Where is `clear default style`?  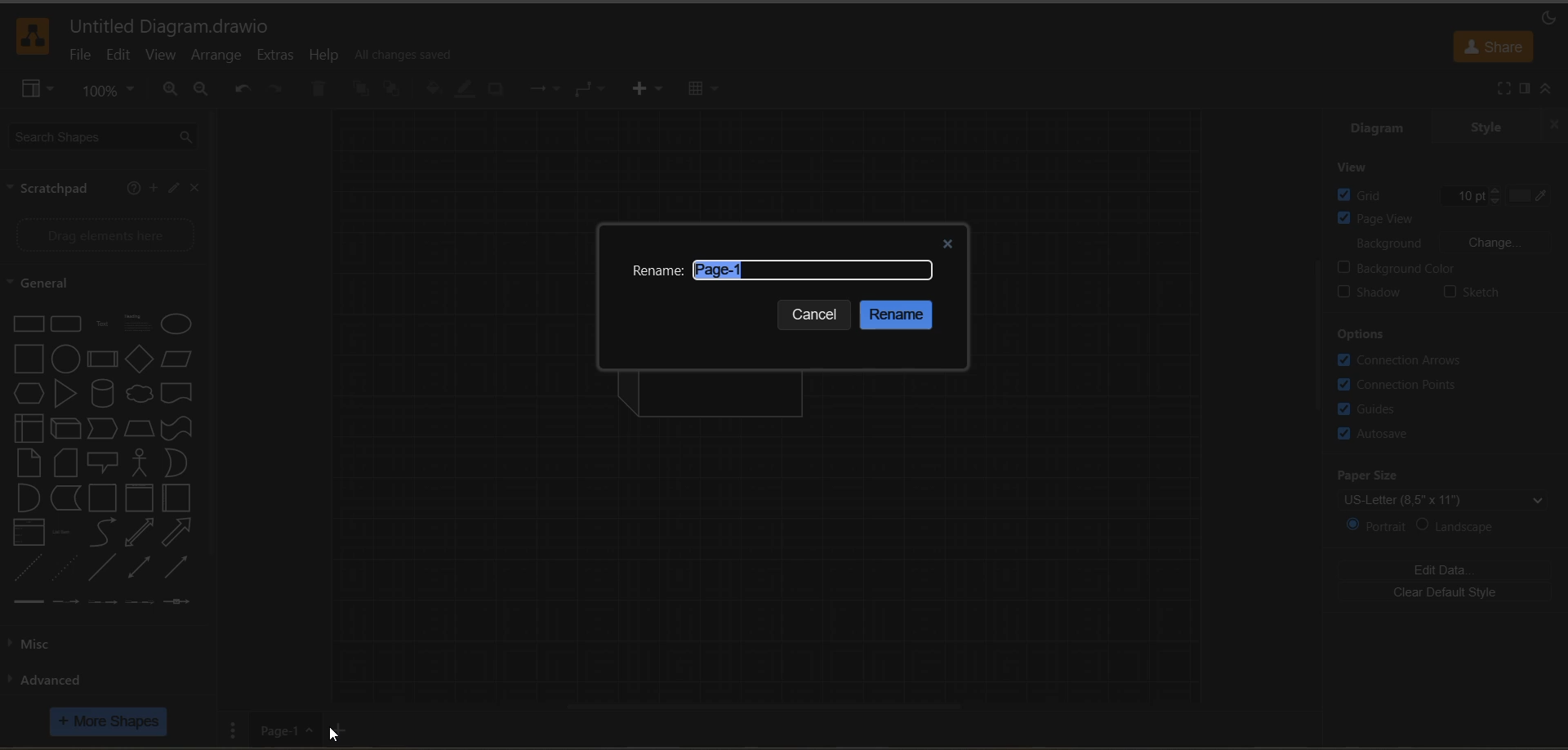
clear default style is located at coordinates (1445, 594).